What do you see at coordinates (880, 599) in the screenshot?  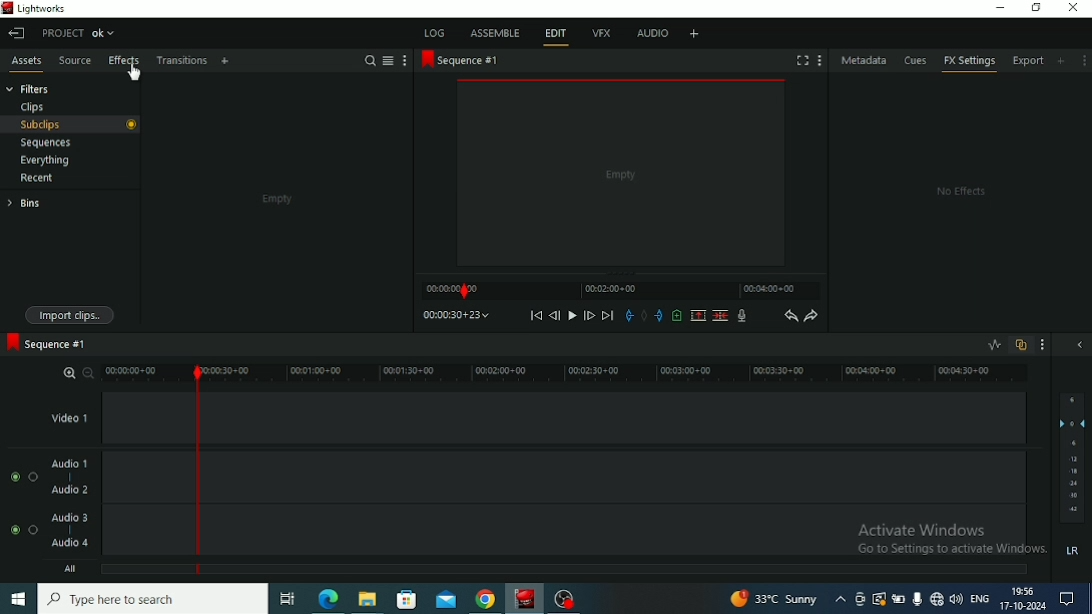 I see `warning` at bounding box center [880, 599].